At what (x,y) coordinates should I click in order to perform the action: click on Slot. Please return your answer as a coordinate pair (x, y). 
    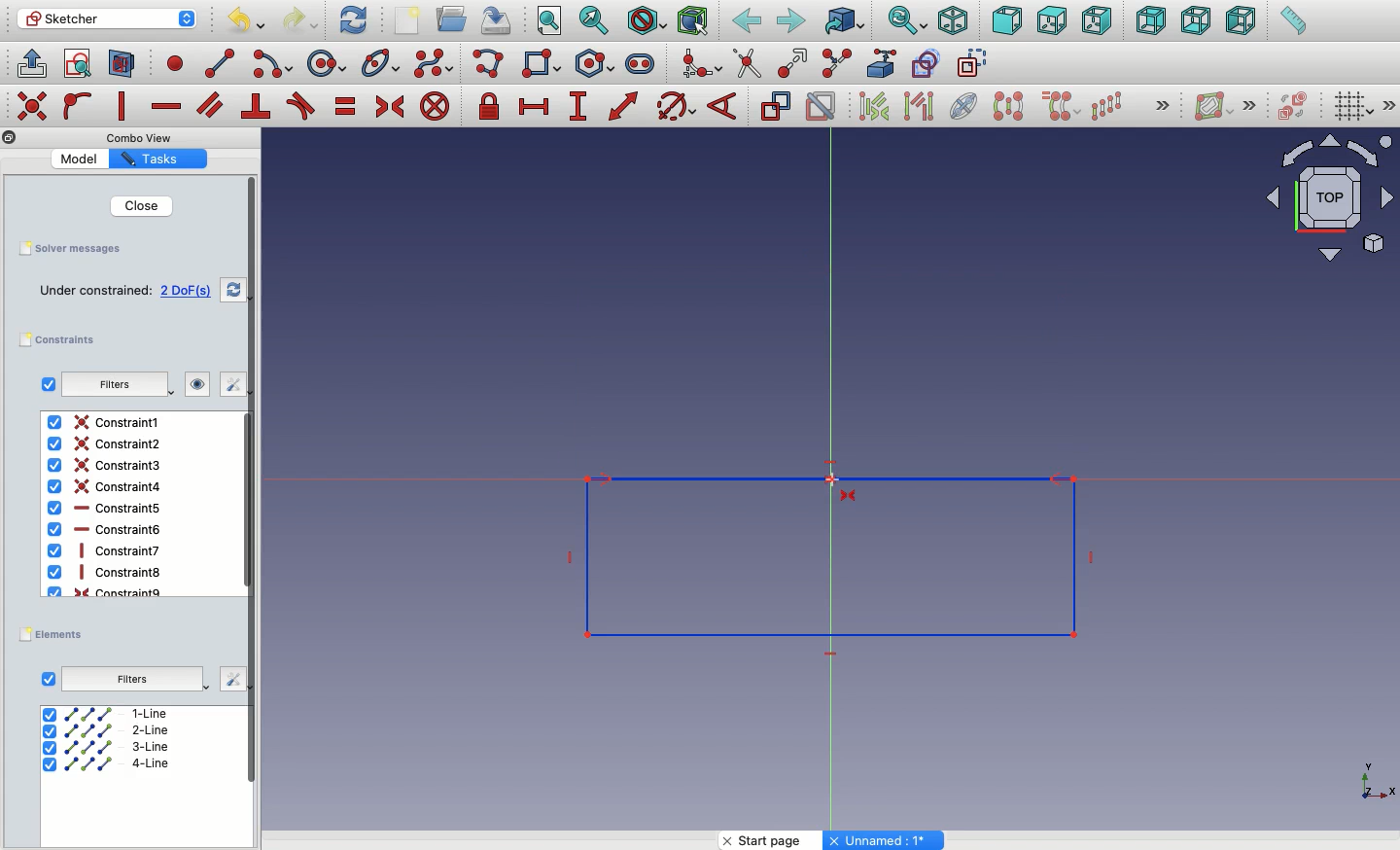
    Looking at the image, I should click on (642, 63).